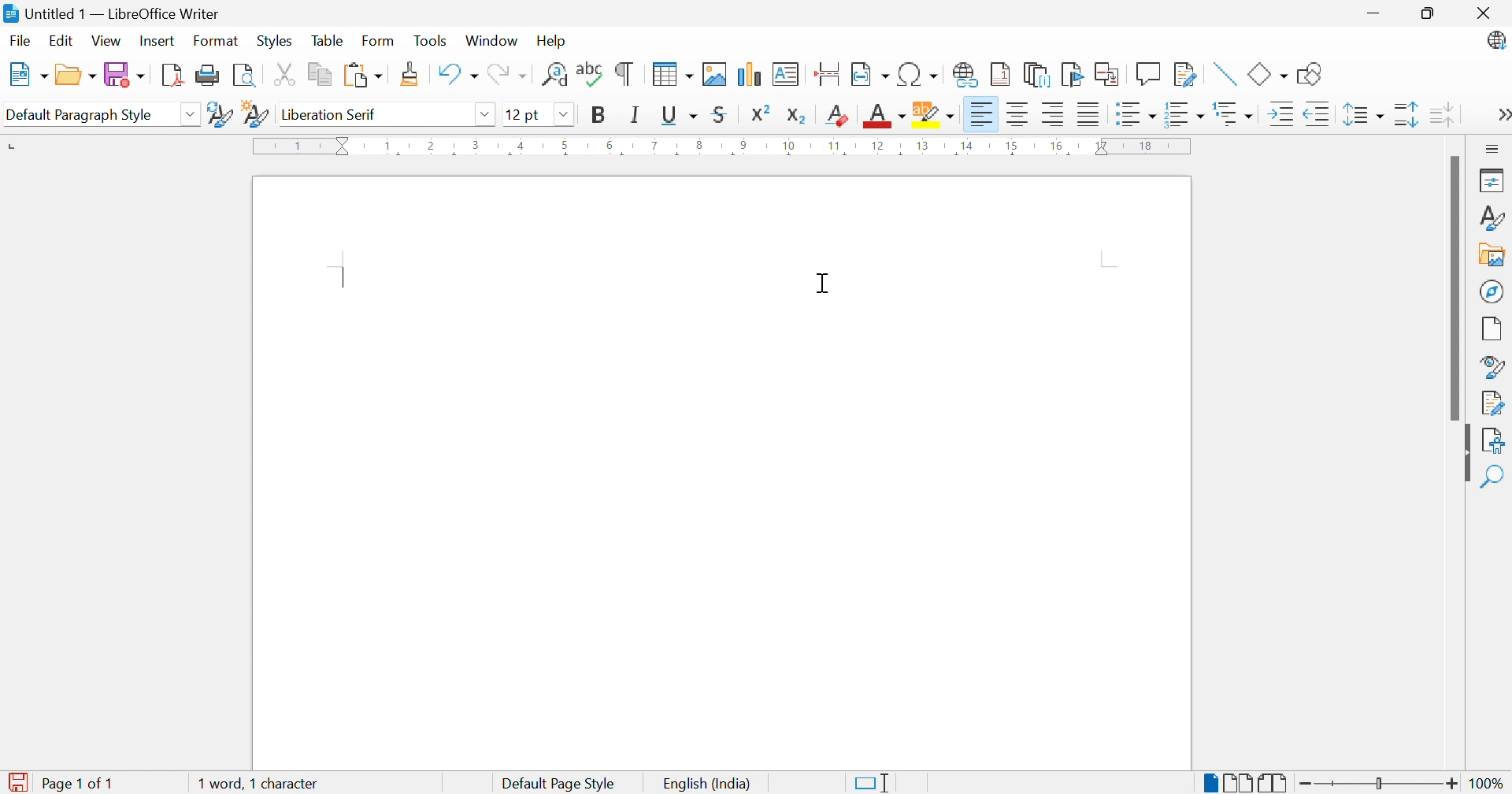  Describe the element at coordinates (321, 74) in the screenshot. I see `Copy` at that location.